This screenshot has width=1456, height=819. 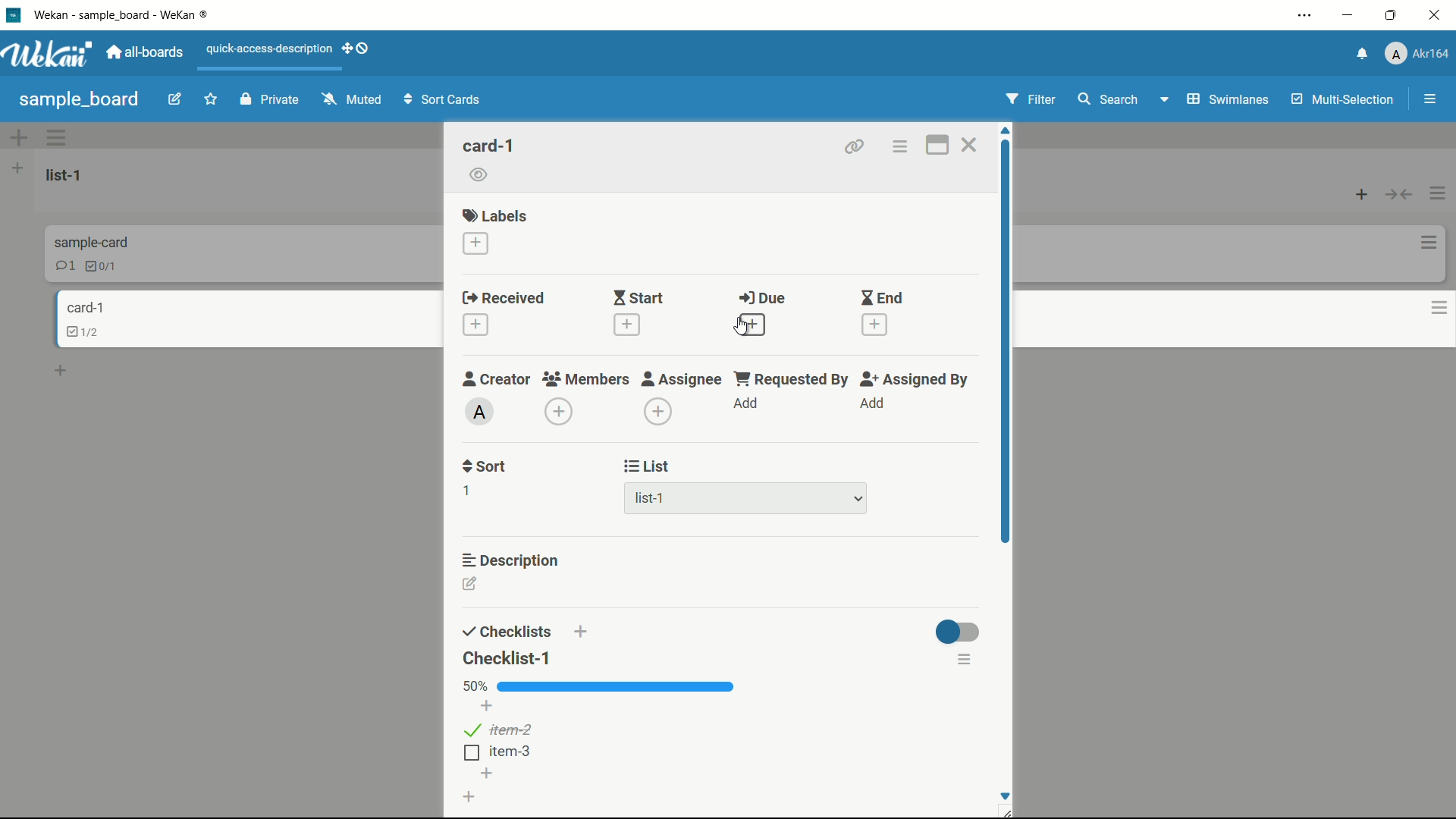 I want to click on card actions, so click(x=899, y=147).